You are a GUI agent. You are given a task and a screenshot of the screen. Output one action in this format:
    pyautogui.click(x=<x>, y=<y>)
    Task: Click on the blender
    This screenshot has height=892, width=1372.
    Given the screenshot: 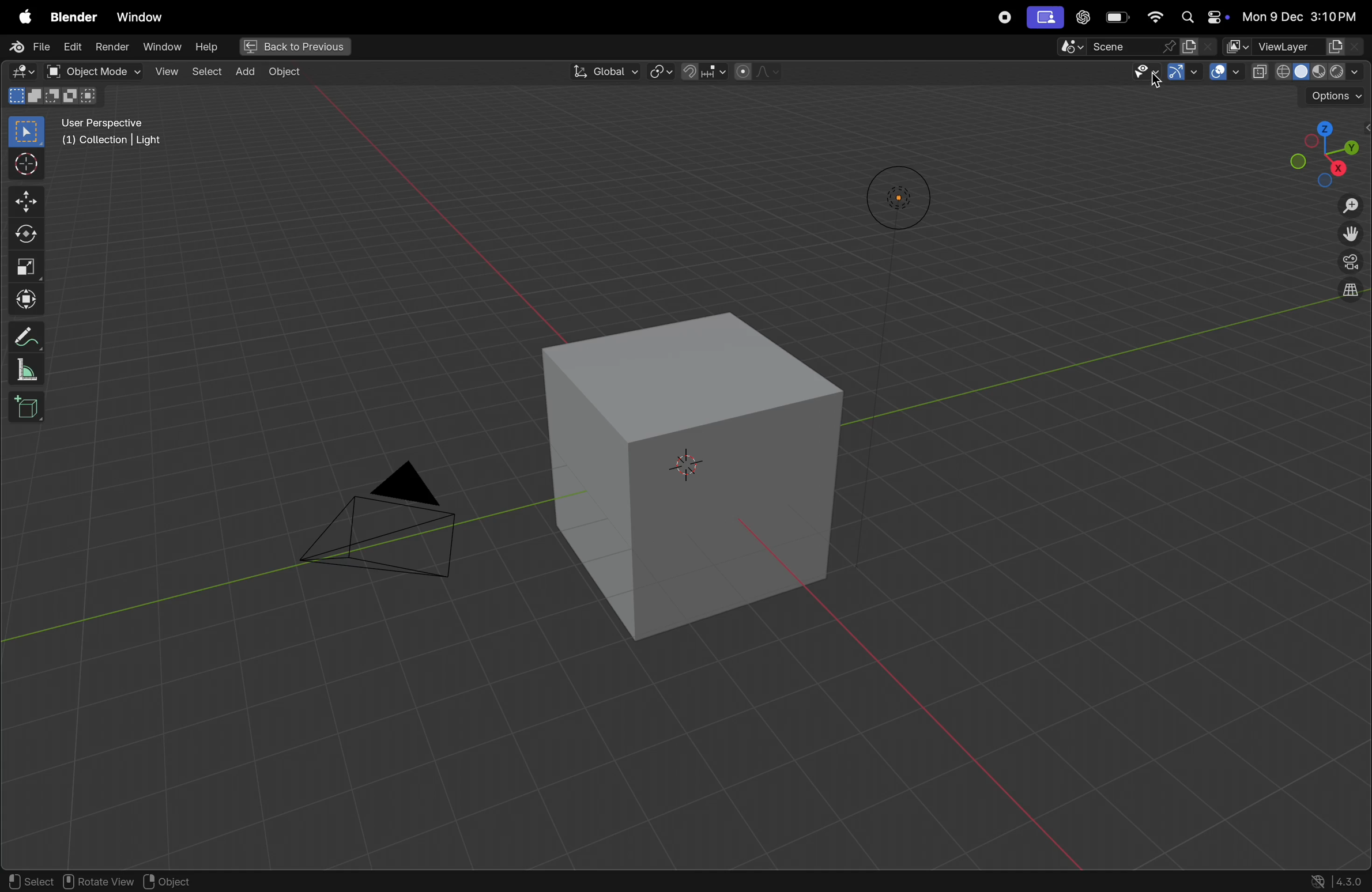 What is the action you would take?
    pyautogui.click(x=70, y=17)
    